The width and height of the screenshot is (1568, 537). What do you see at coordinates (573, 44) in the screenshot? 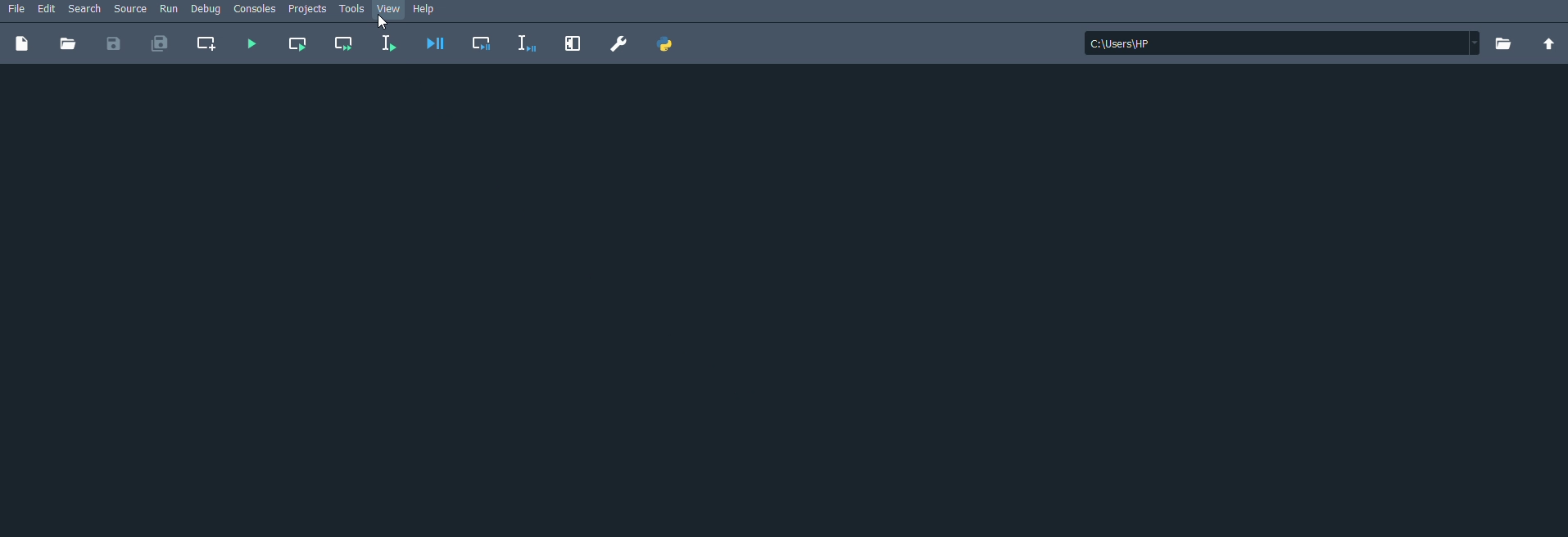
I see `Maximize current pane` at bounding box center [573, 44].